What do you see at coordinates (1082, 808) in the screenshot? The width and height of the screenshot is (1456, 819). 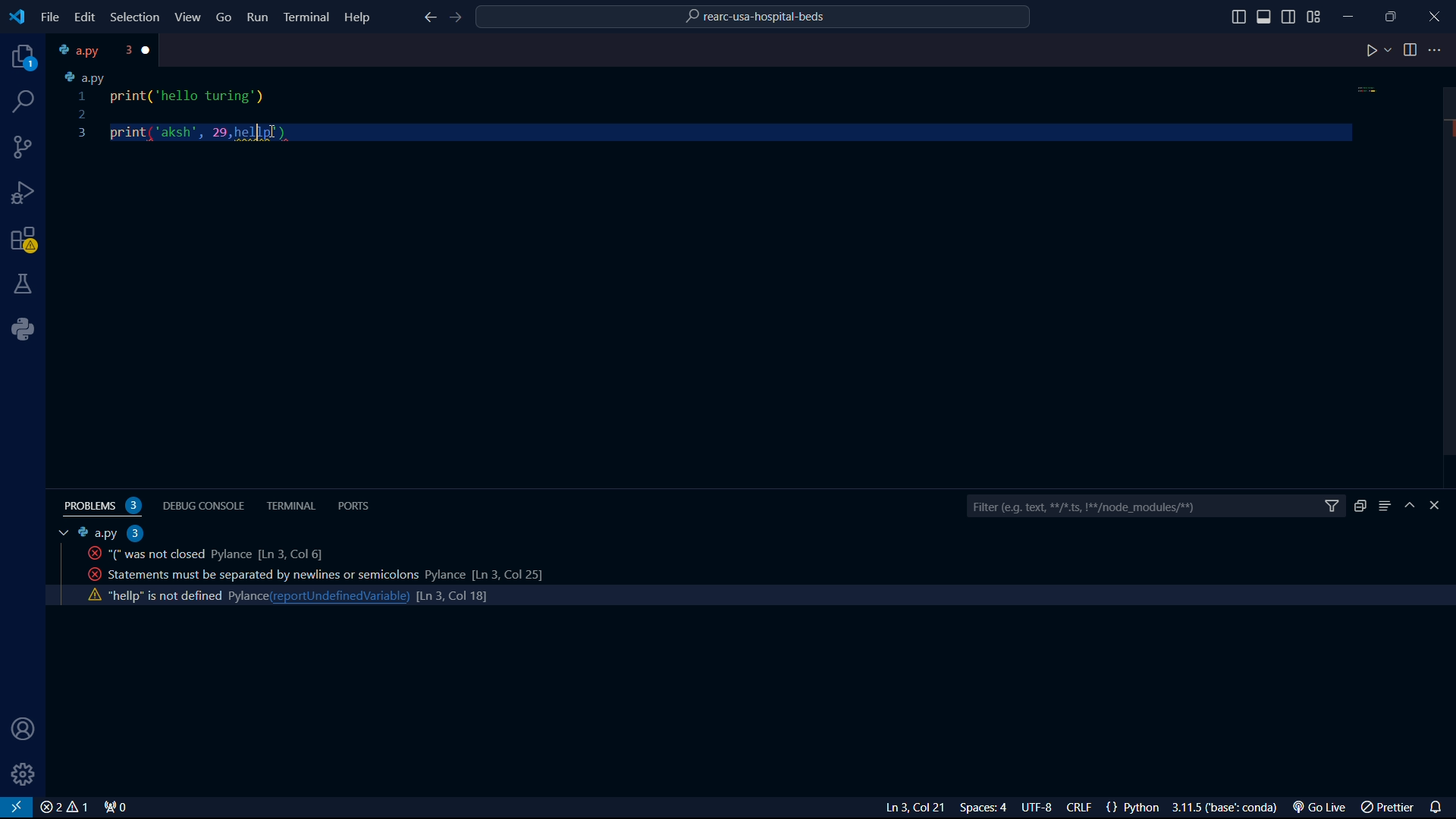 I see `CRLF` at bounding box center [1082, 808].